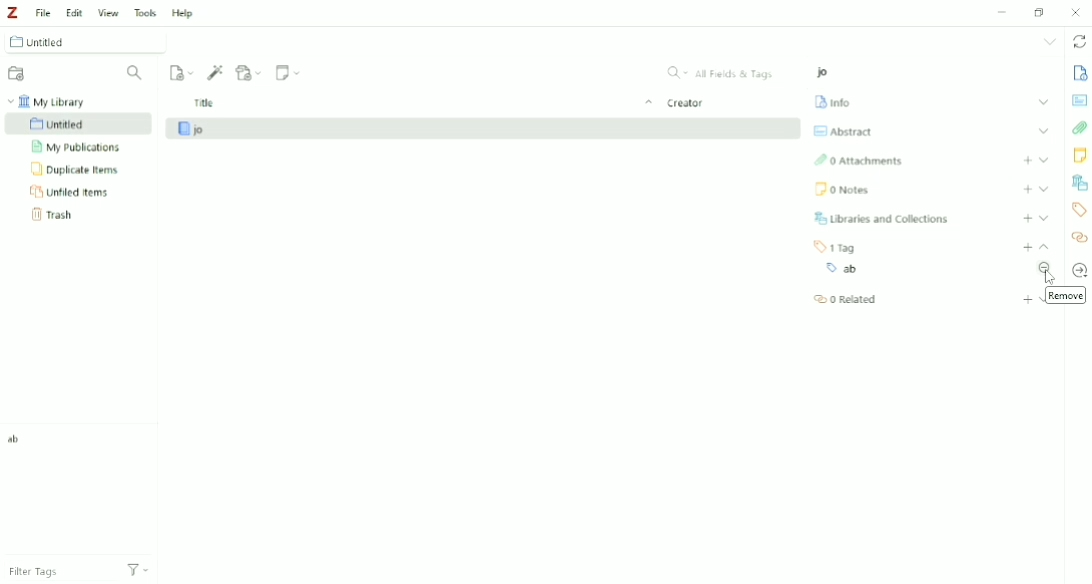 This screenshot has width=1092, height=584. I want to click on Tag ab, so click(15, 439).